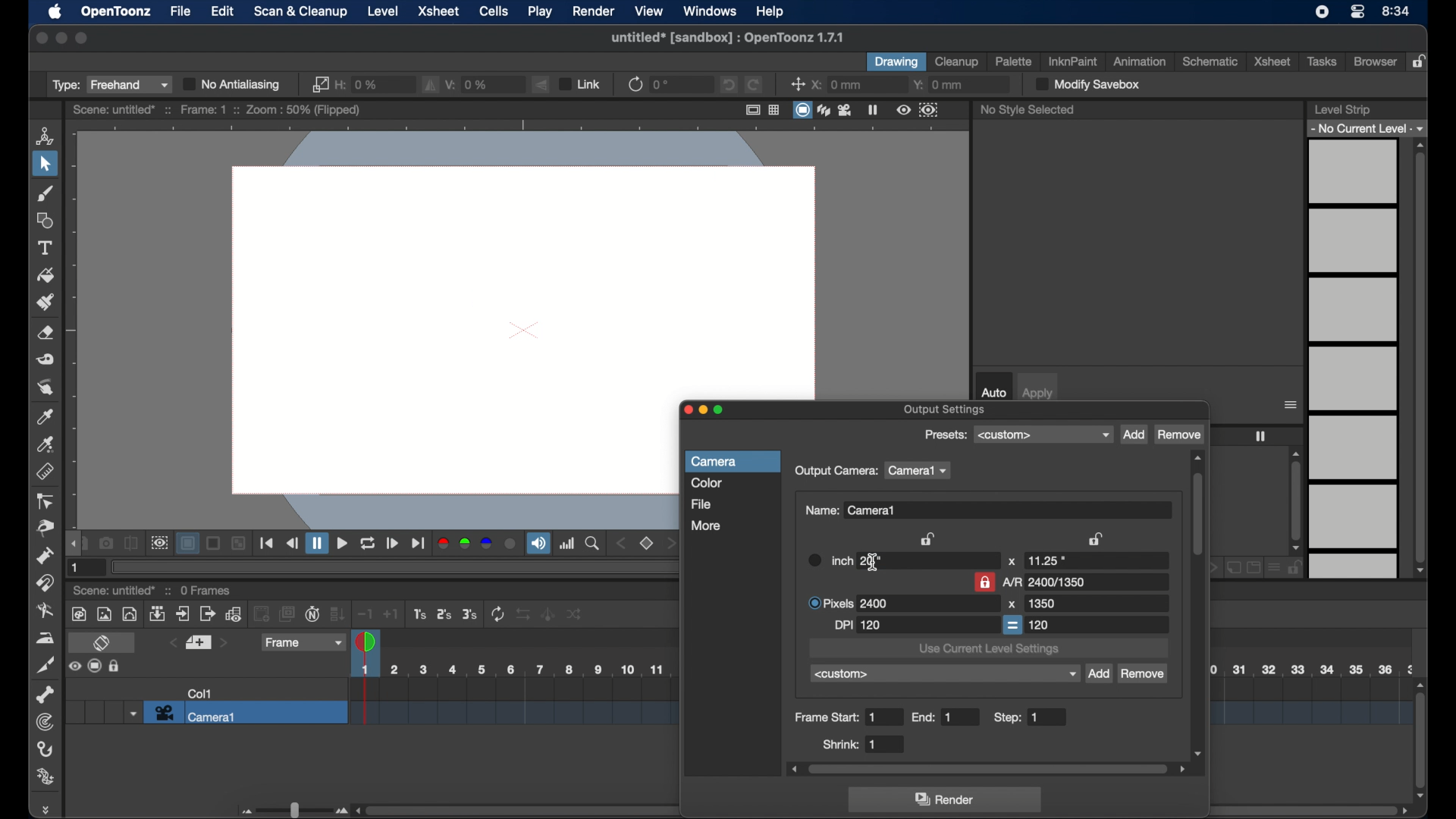 The height and width of the screenshot is (819, 1456). What do you see at coordinates (200, 693) in the screenshot?
I see `col1` at bounding box center [200, 693].